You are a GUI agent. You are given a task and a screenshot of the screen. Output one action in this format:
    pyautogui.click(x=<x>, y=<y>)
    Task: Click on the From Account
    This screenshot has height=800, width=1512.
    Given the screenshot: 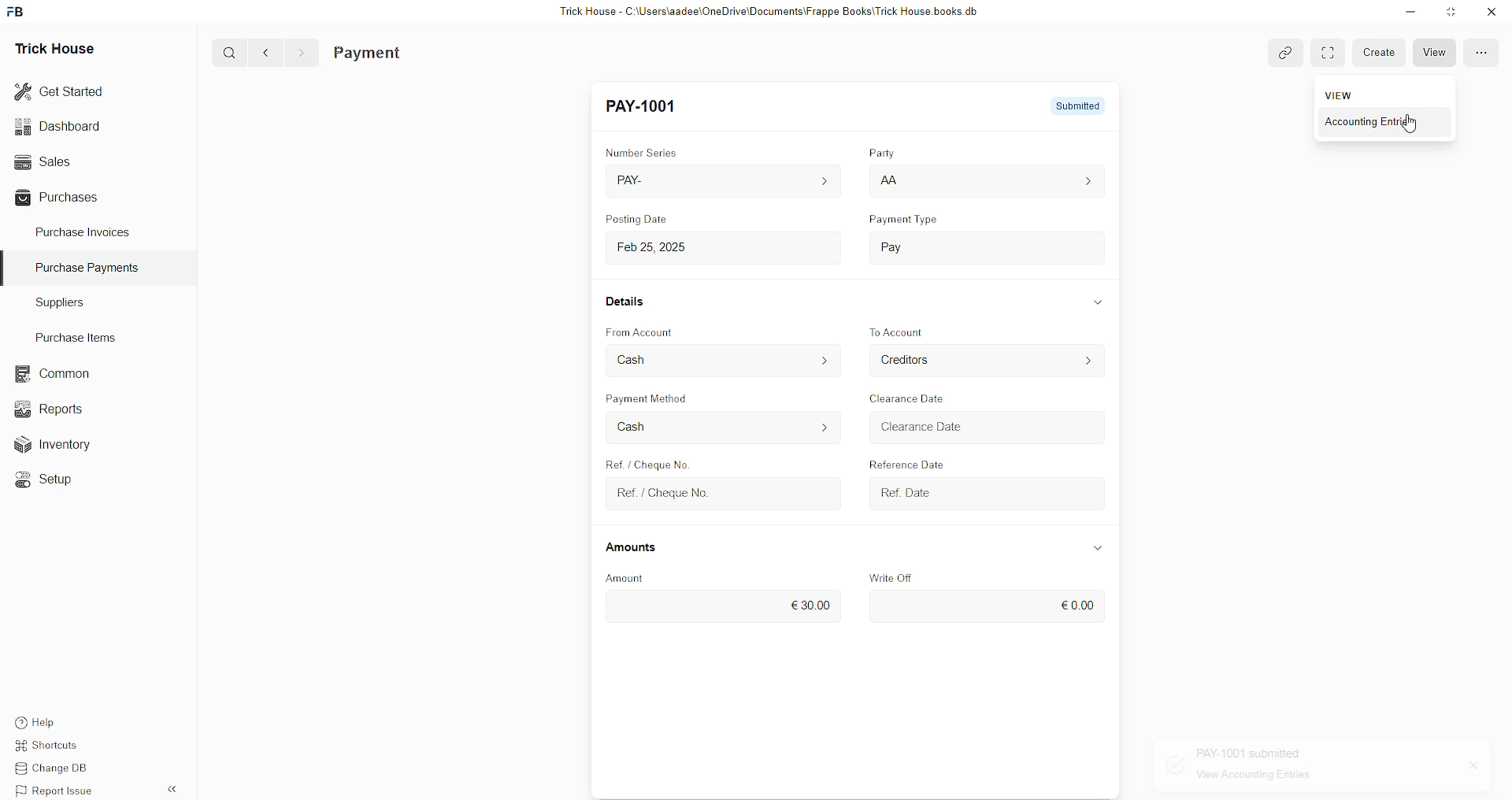 What is the action you would take?
    pyautogui.click(x=651, y=330)
    